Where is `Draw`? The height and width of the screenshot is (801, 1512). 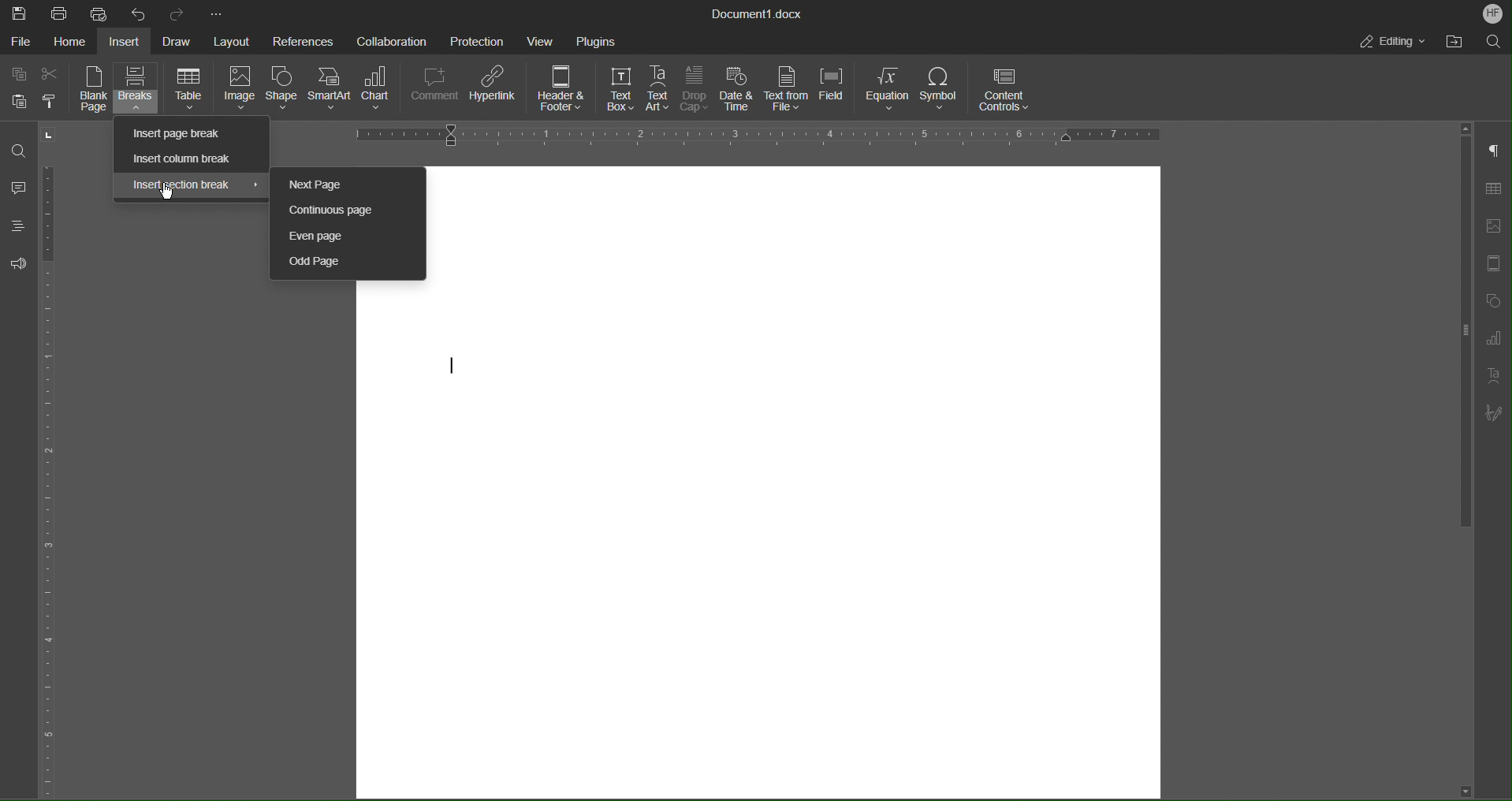 Draw is located at coordinates (180, 39).